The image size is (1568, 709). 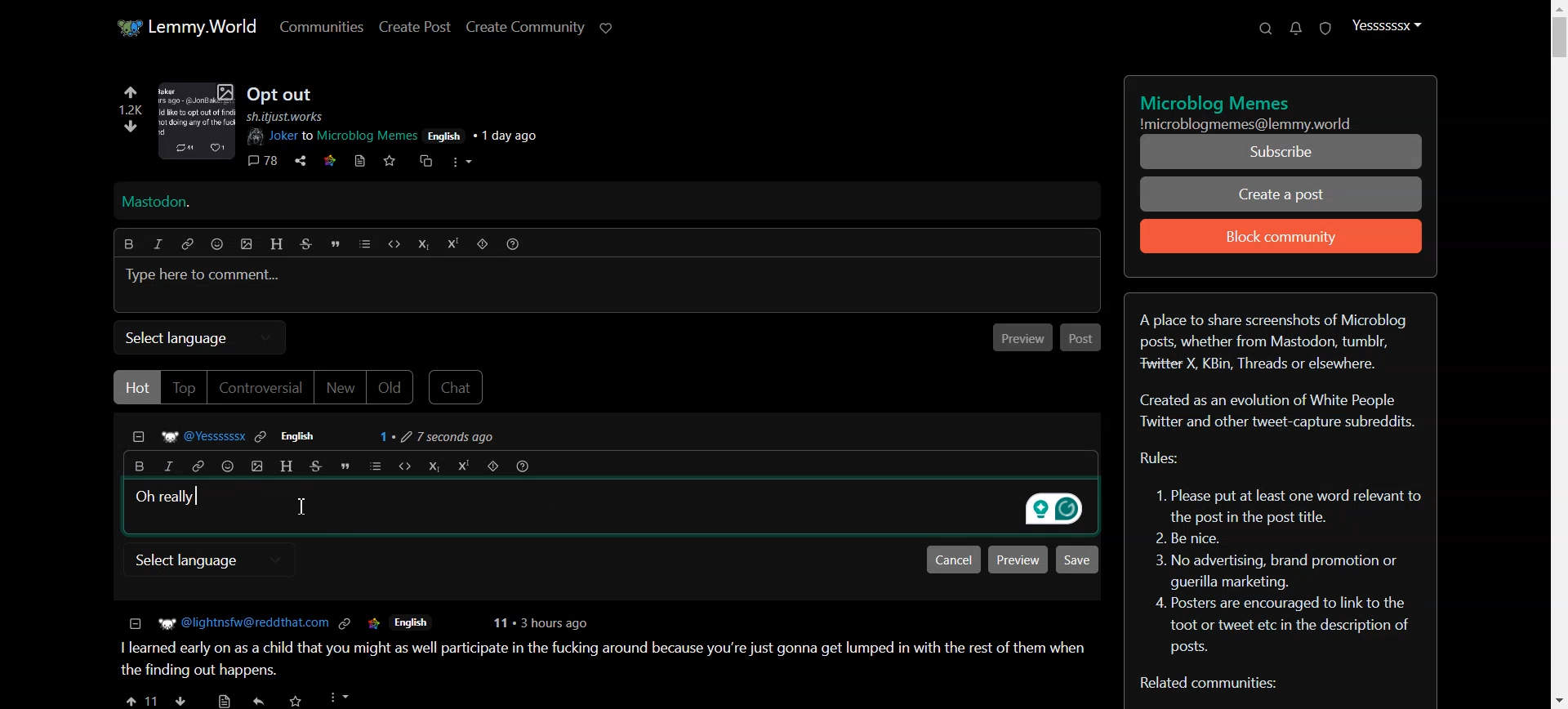 What do you see at coordinates (1295, 29) in the screenshot?
I see `Unread message` at bounding box center [1295, 29].